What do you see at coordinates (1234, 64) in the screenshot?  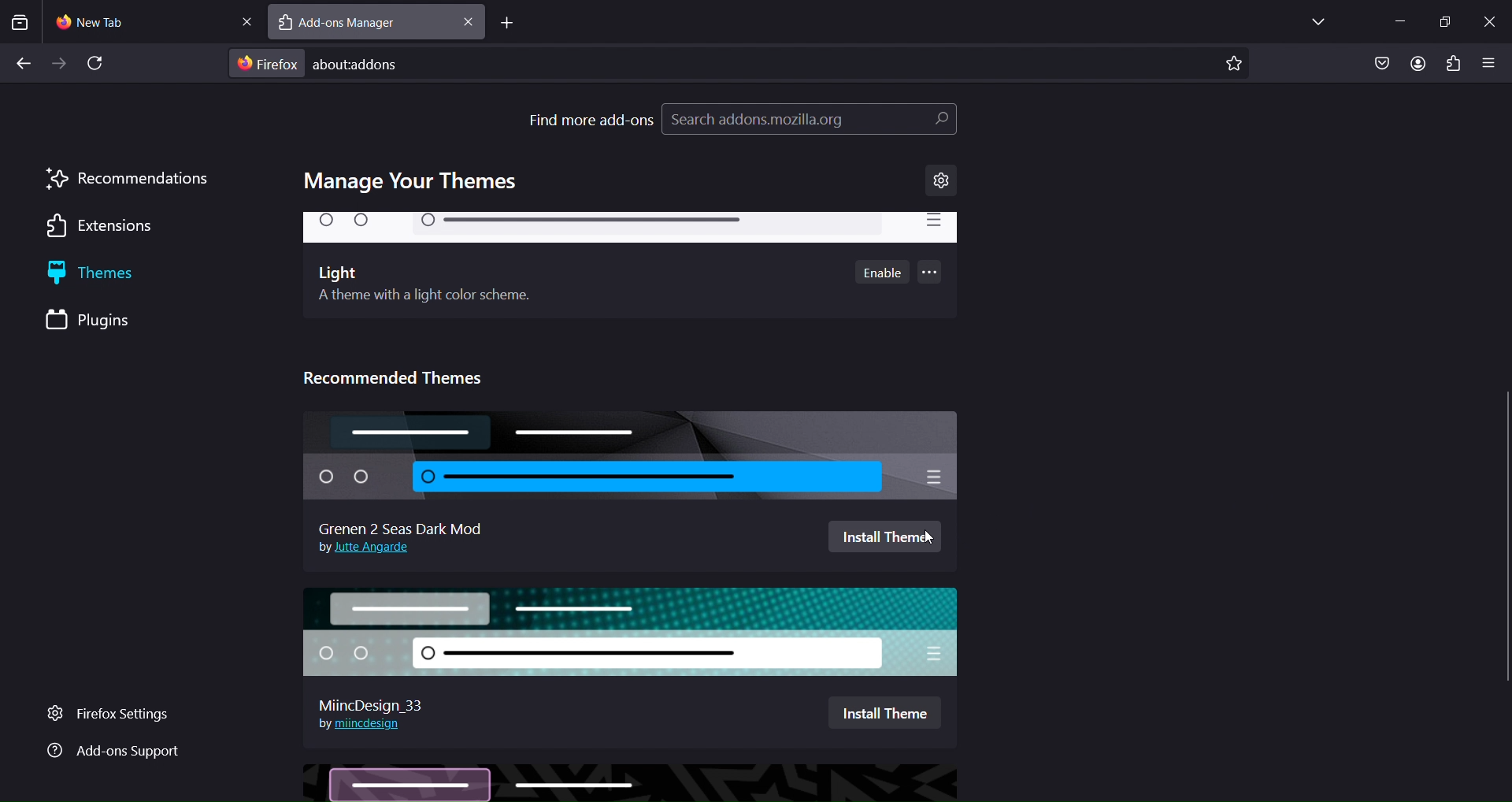 I see `bookmark page` at bounding box center [1234, 64].